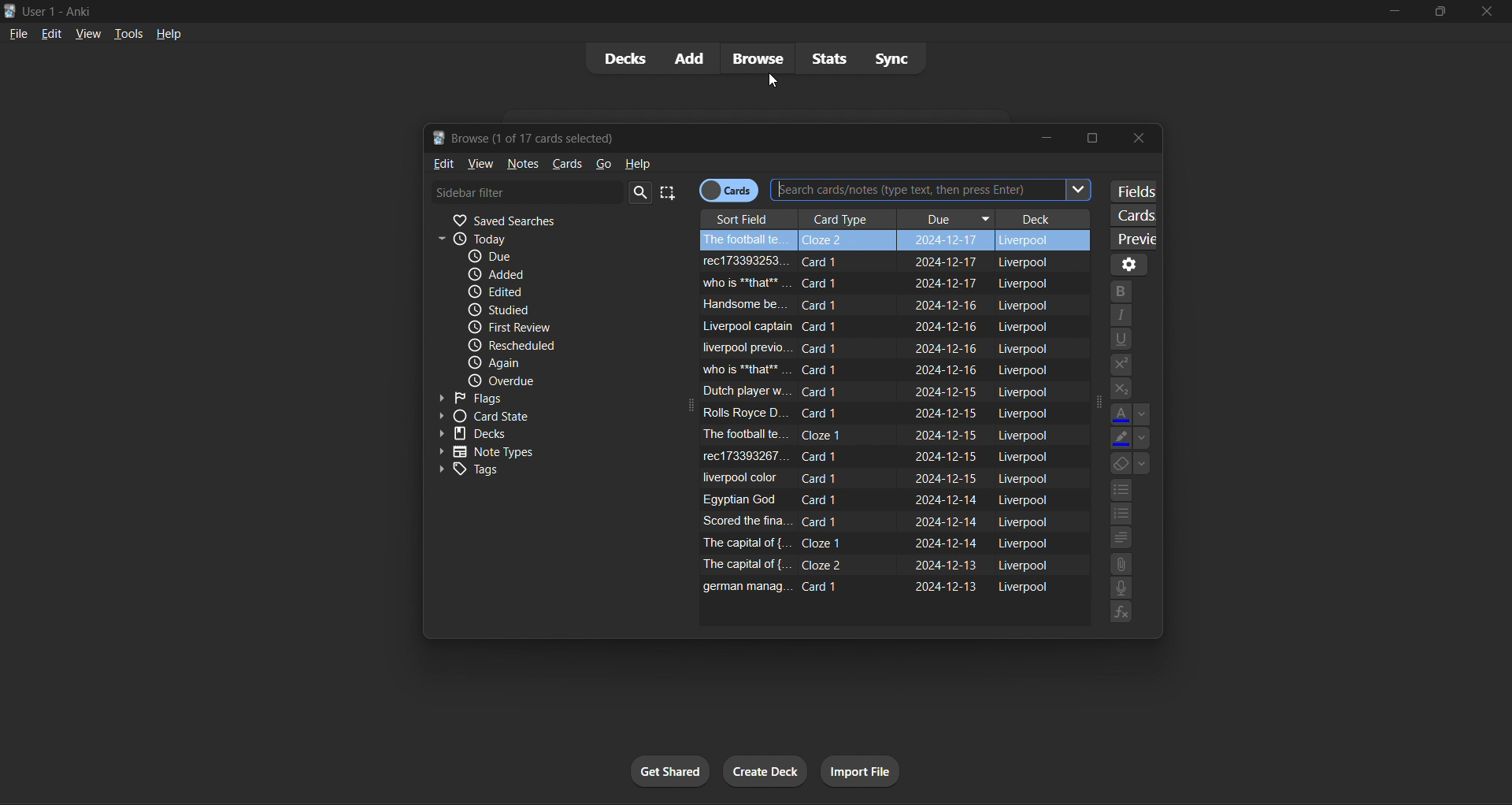 This screenshot has width=1512, height=805. I want to click on due date, so click(948, 370).